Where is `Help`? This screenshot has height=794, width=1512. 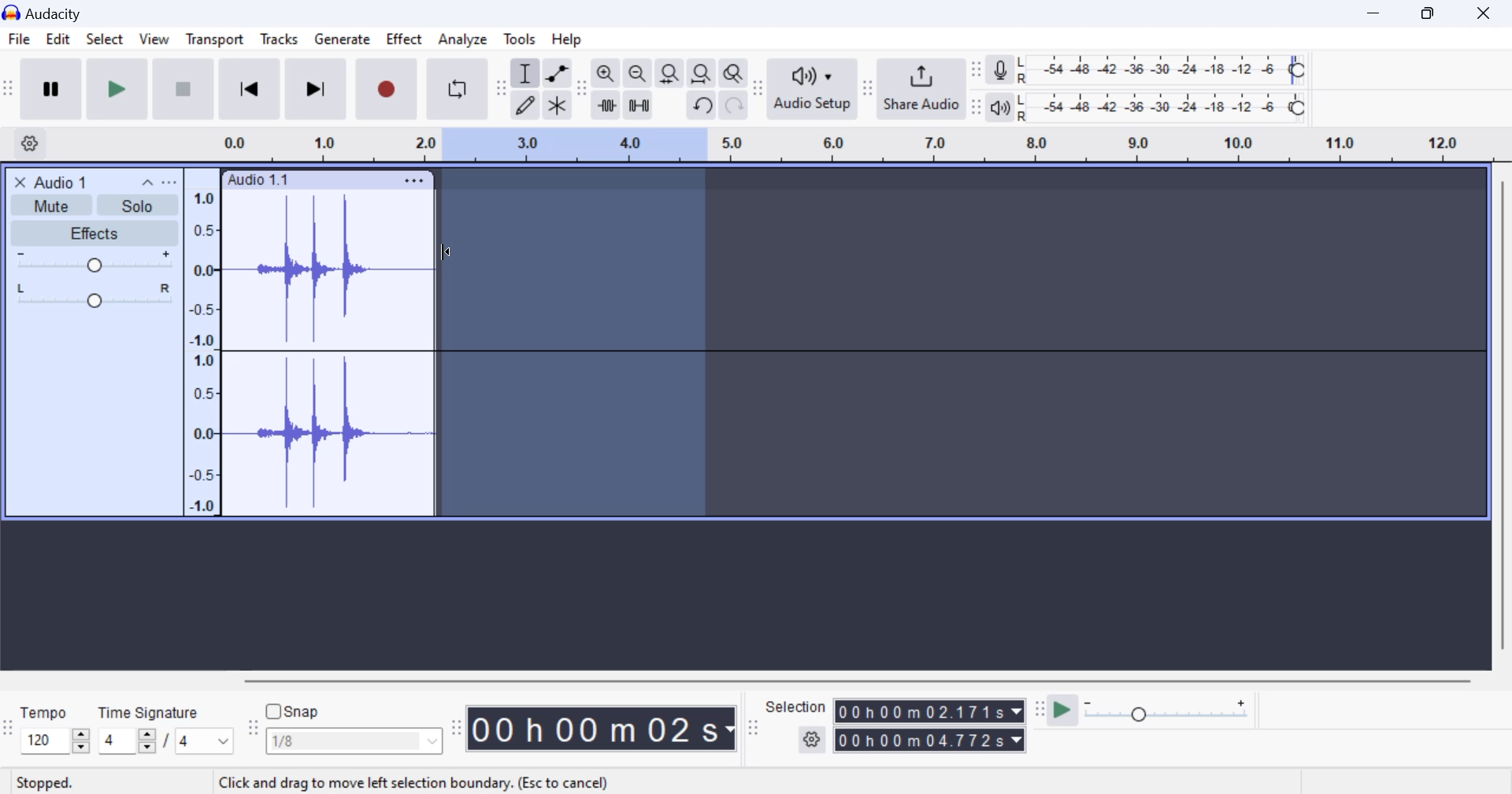 Help is located at coordinates (570, 39).